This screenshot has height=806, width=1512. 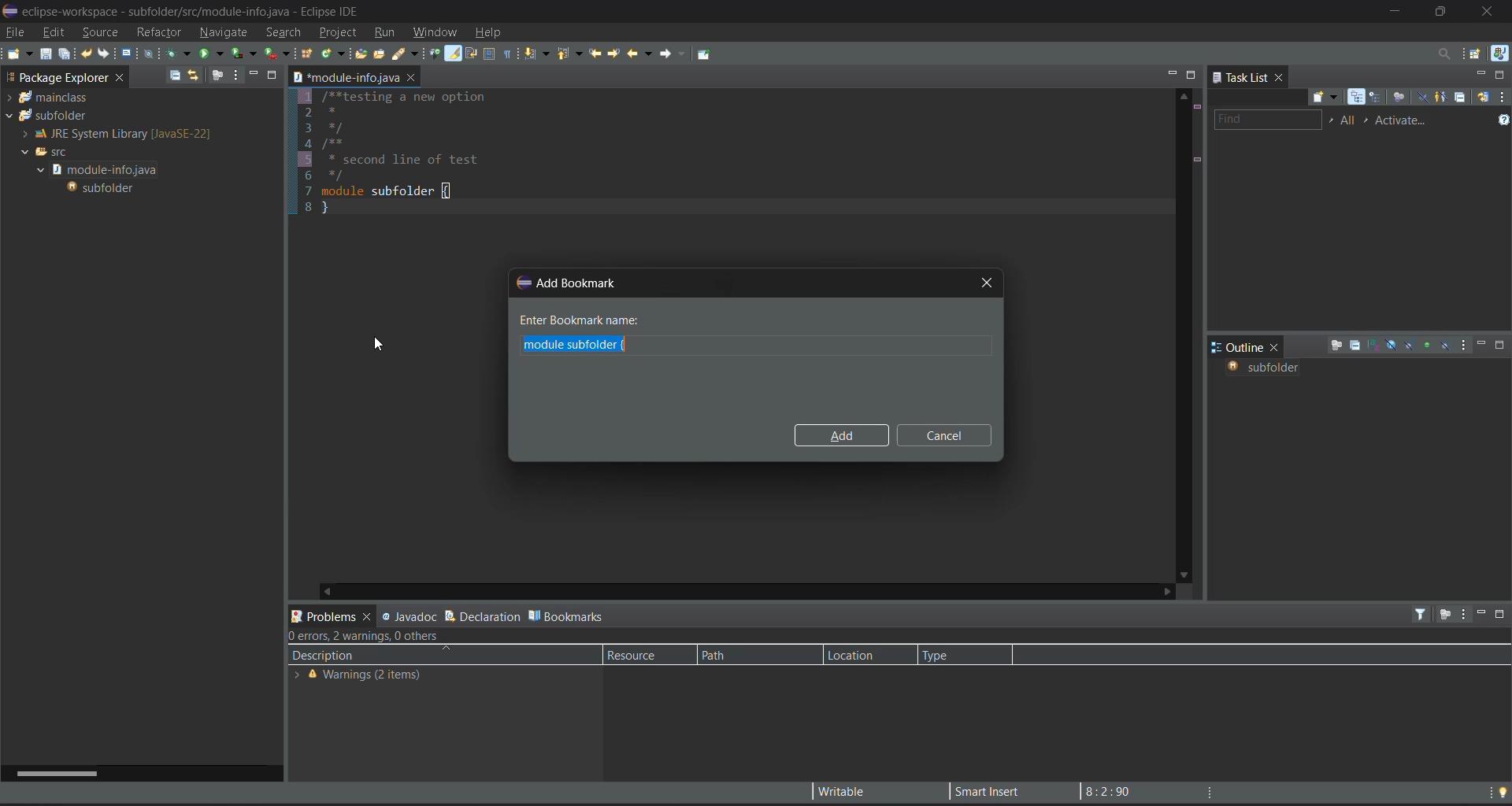 I want to click on cancel, so click(x=947, y=435).